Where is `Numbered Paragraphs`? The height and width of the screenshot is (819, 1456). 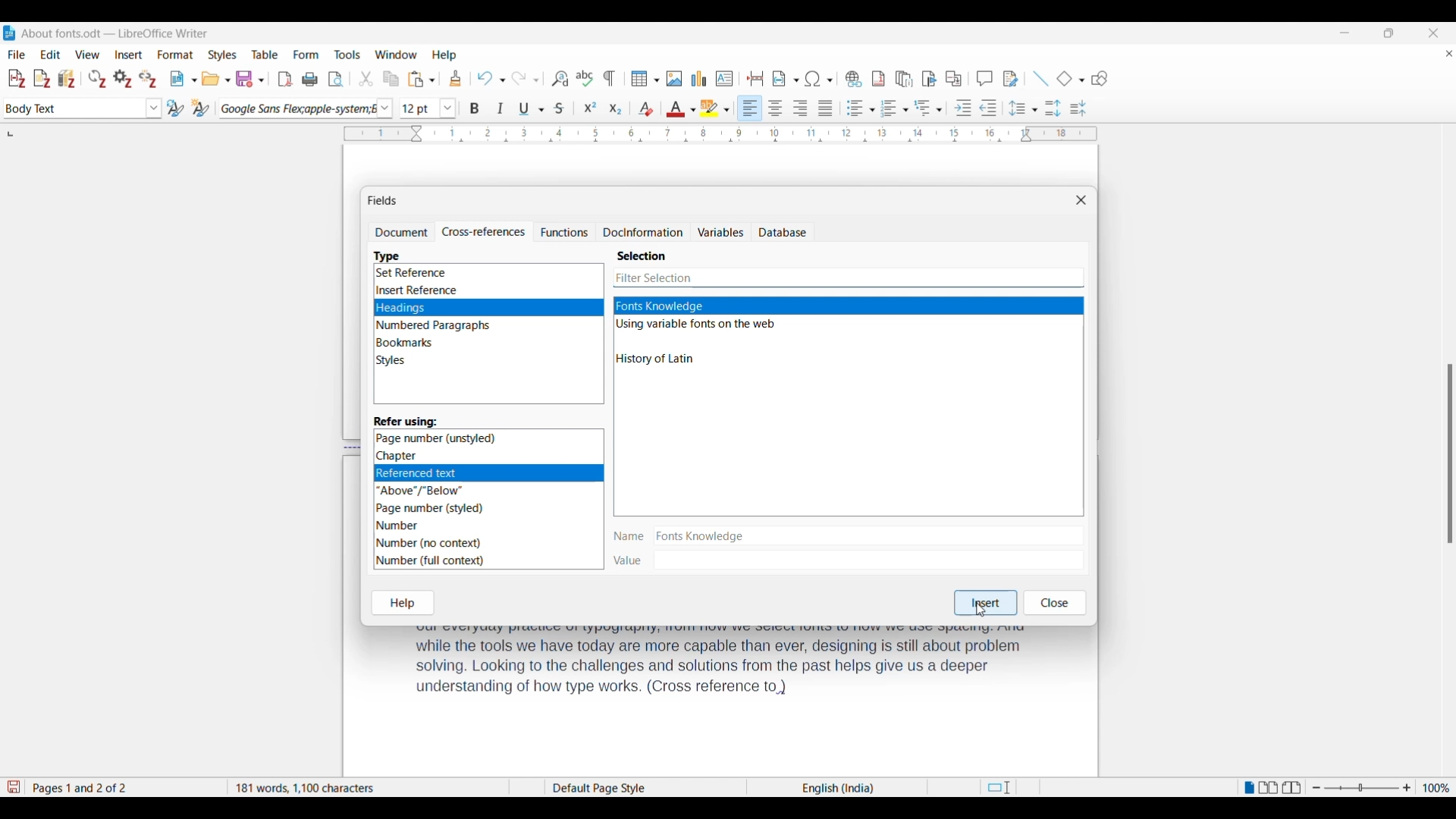
Numbered Paragraphs is located at coordinates (434, 326).